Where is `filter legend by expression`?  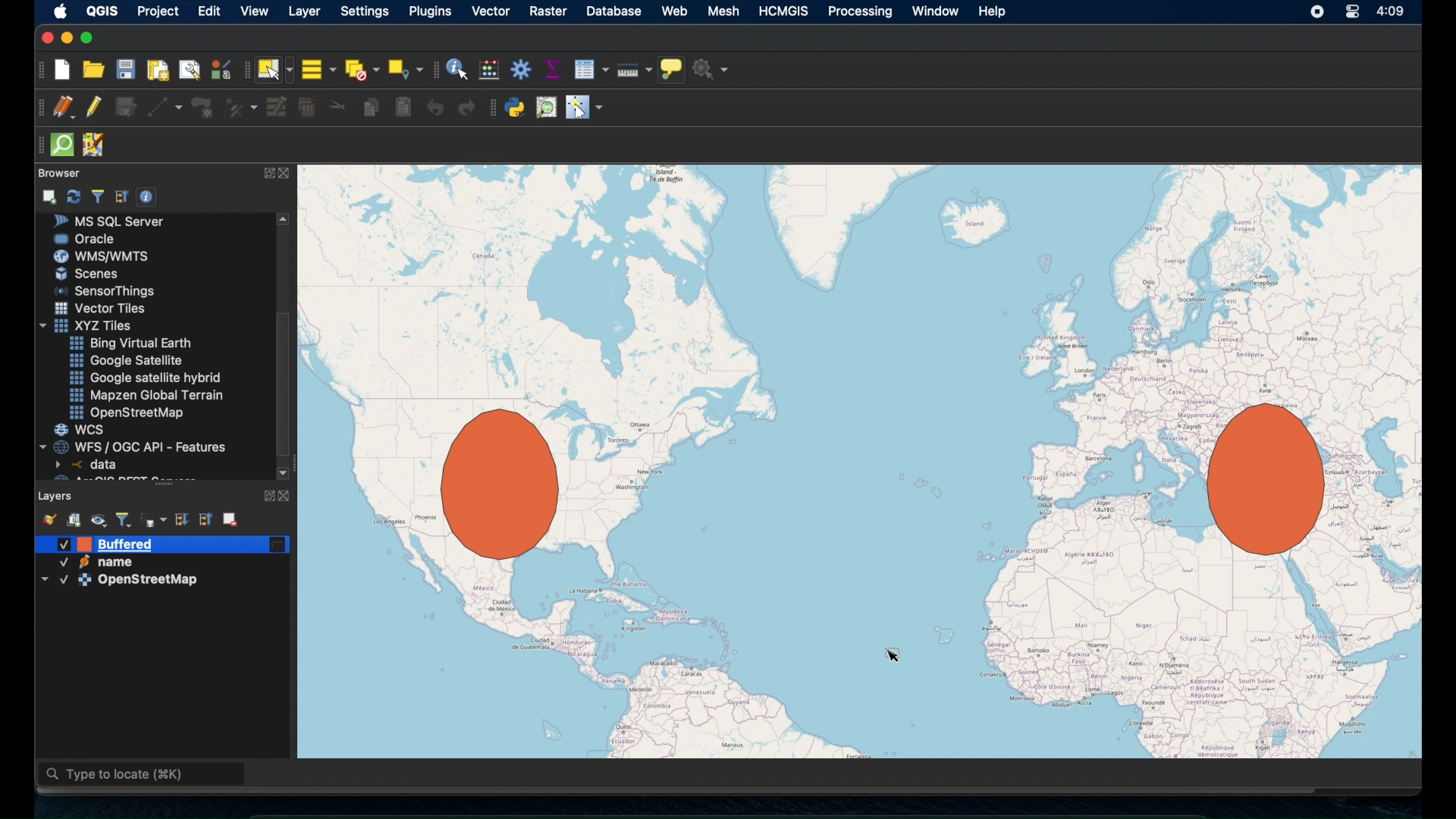
filter legend by expression is located at coordinates (154, 519).